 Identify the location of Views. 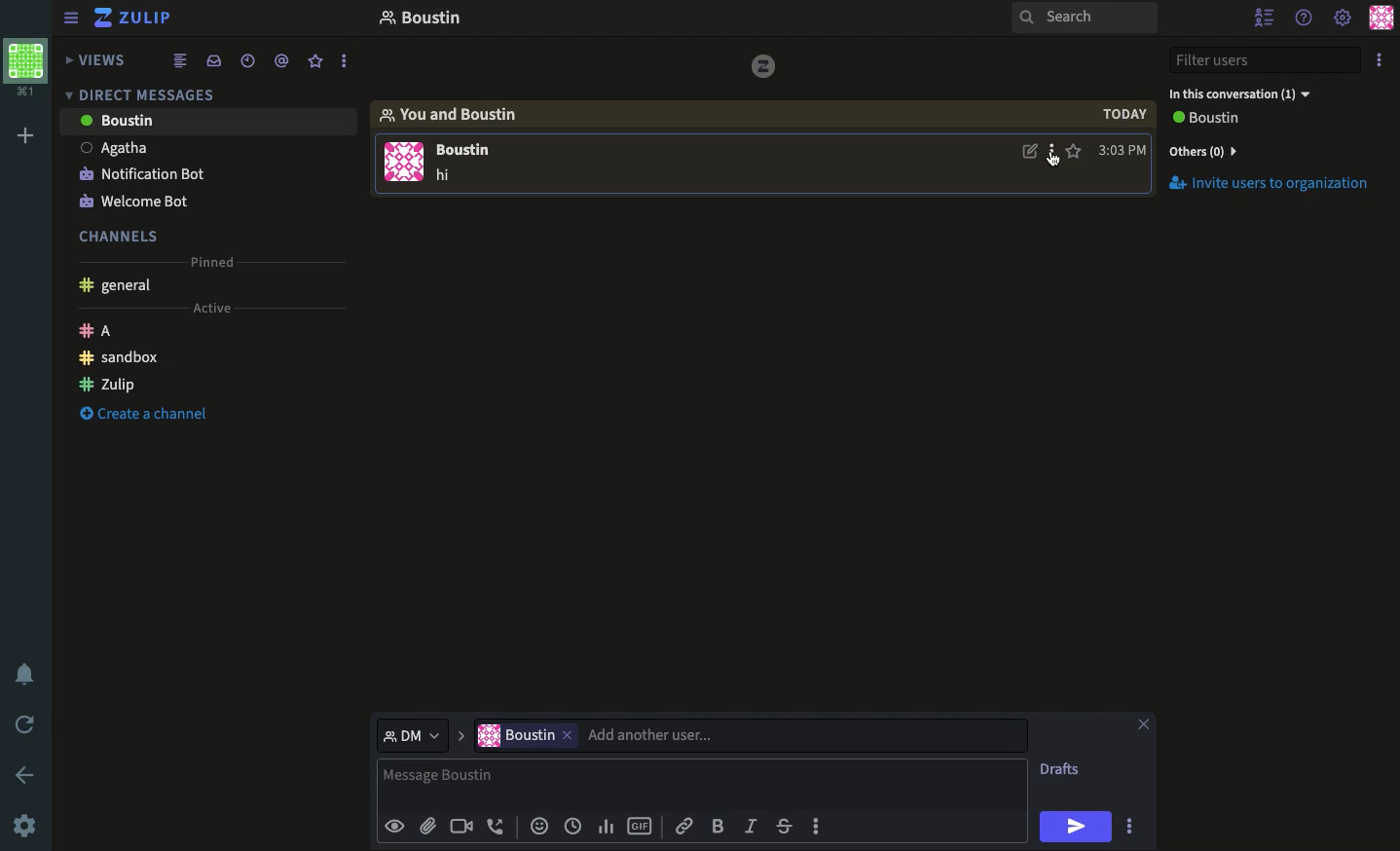
(100, 57).